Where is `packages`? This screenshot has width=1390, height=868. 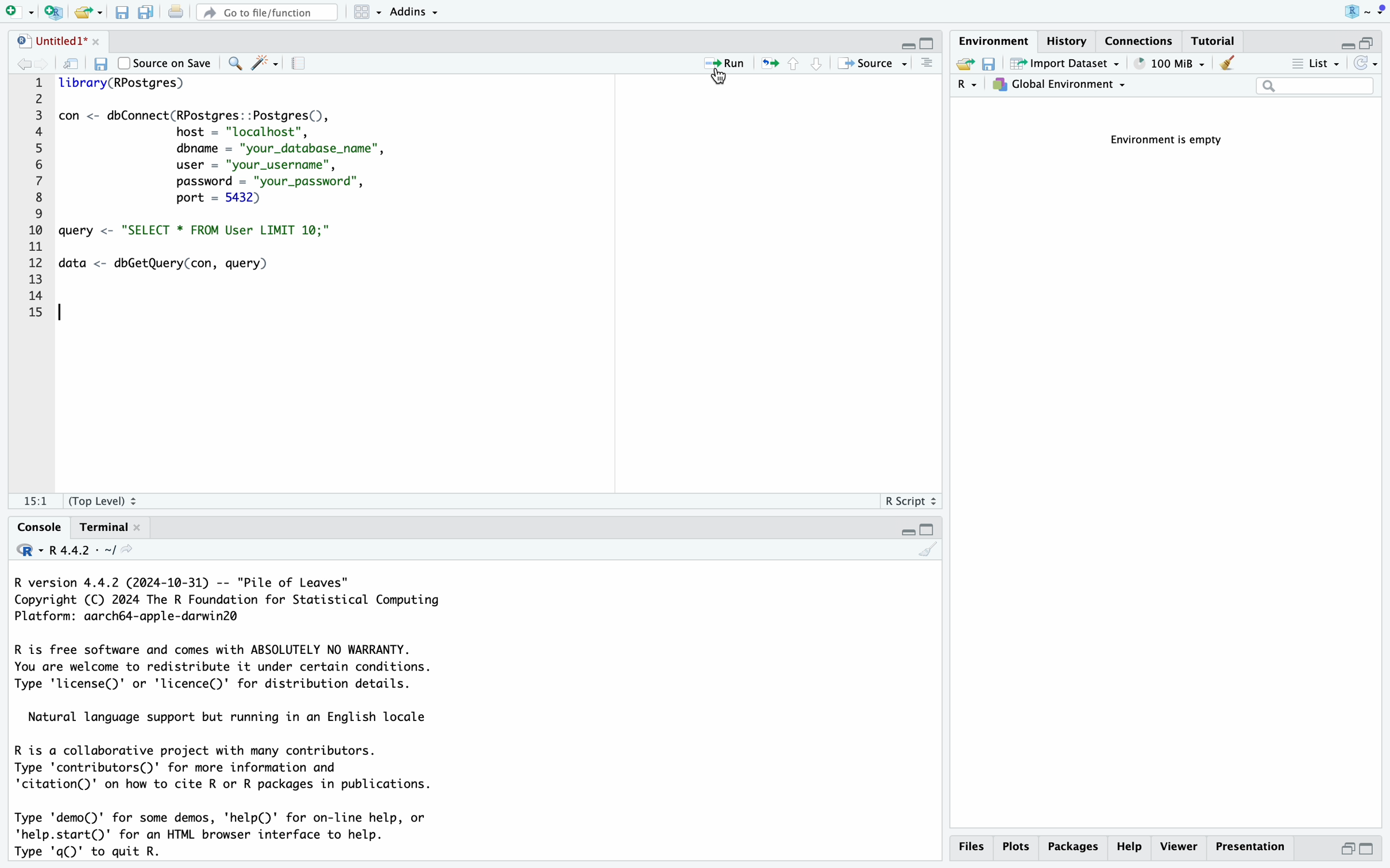
packages is located at coordinates (1072, 849).